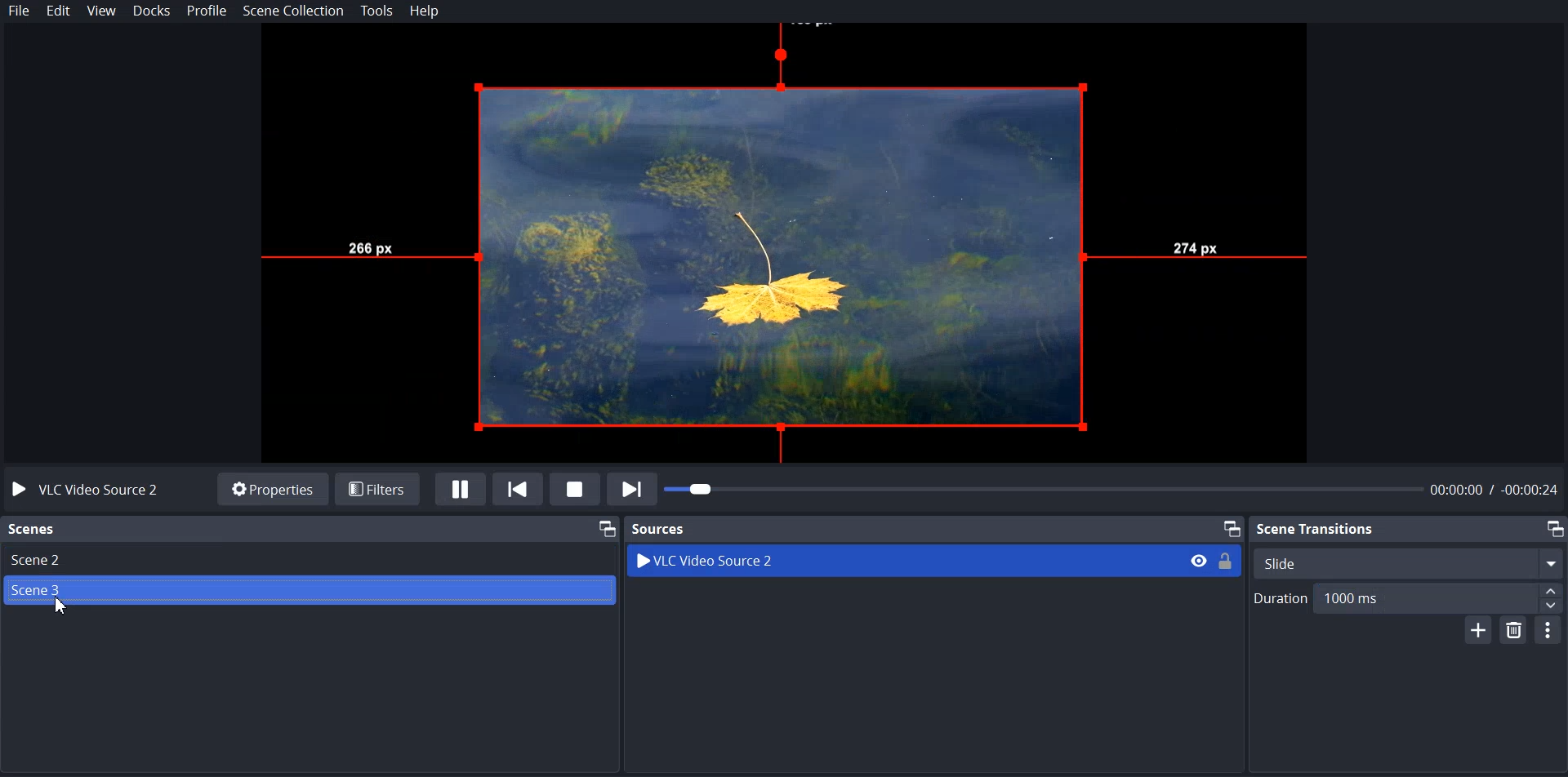  I want to click on Properties, so click(273, 490).